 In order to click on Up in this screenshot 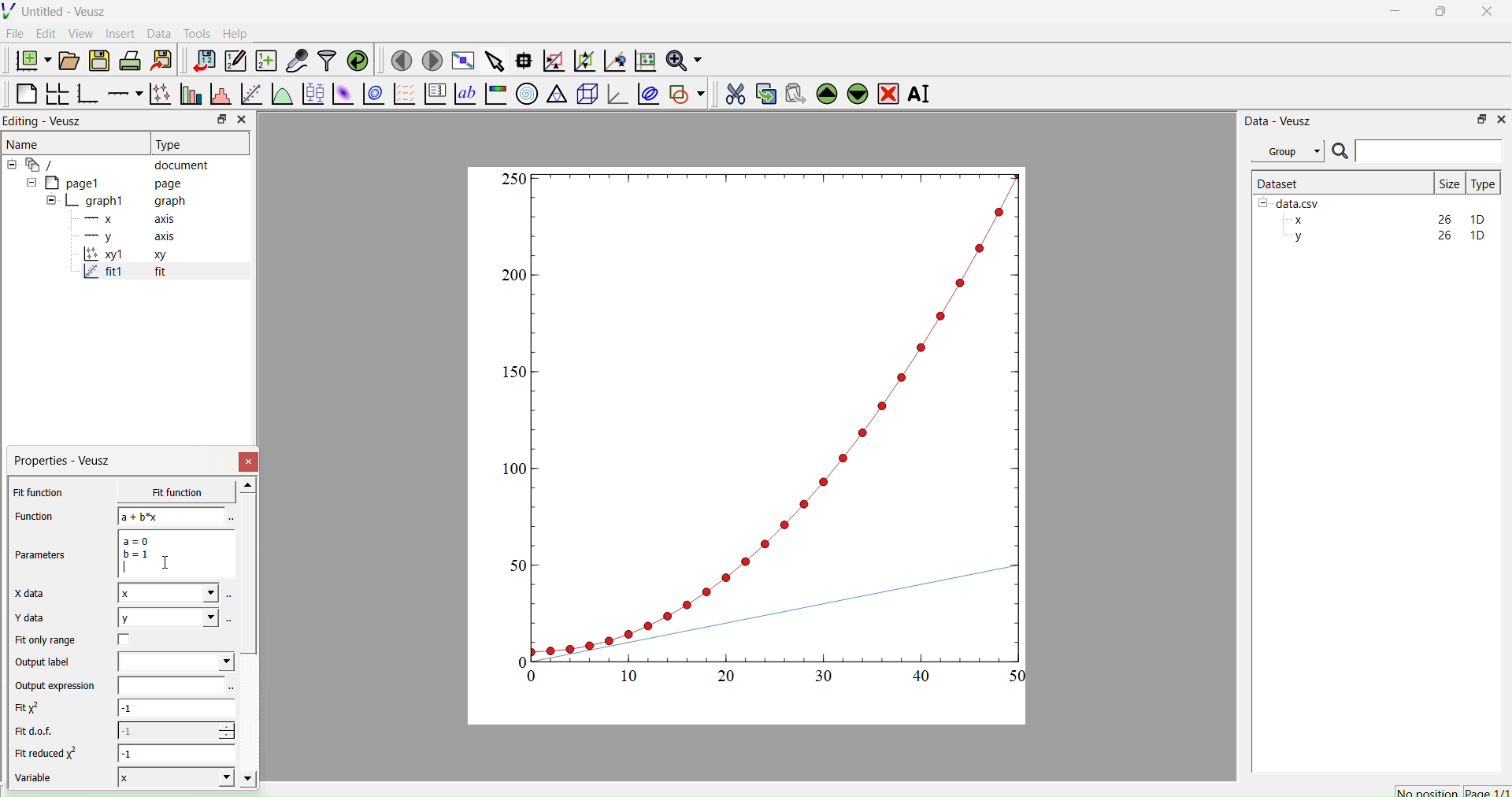, I will do `click(825, 91)`.